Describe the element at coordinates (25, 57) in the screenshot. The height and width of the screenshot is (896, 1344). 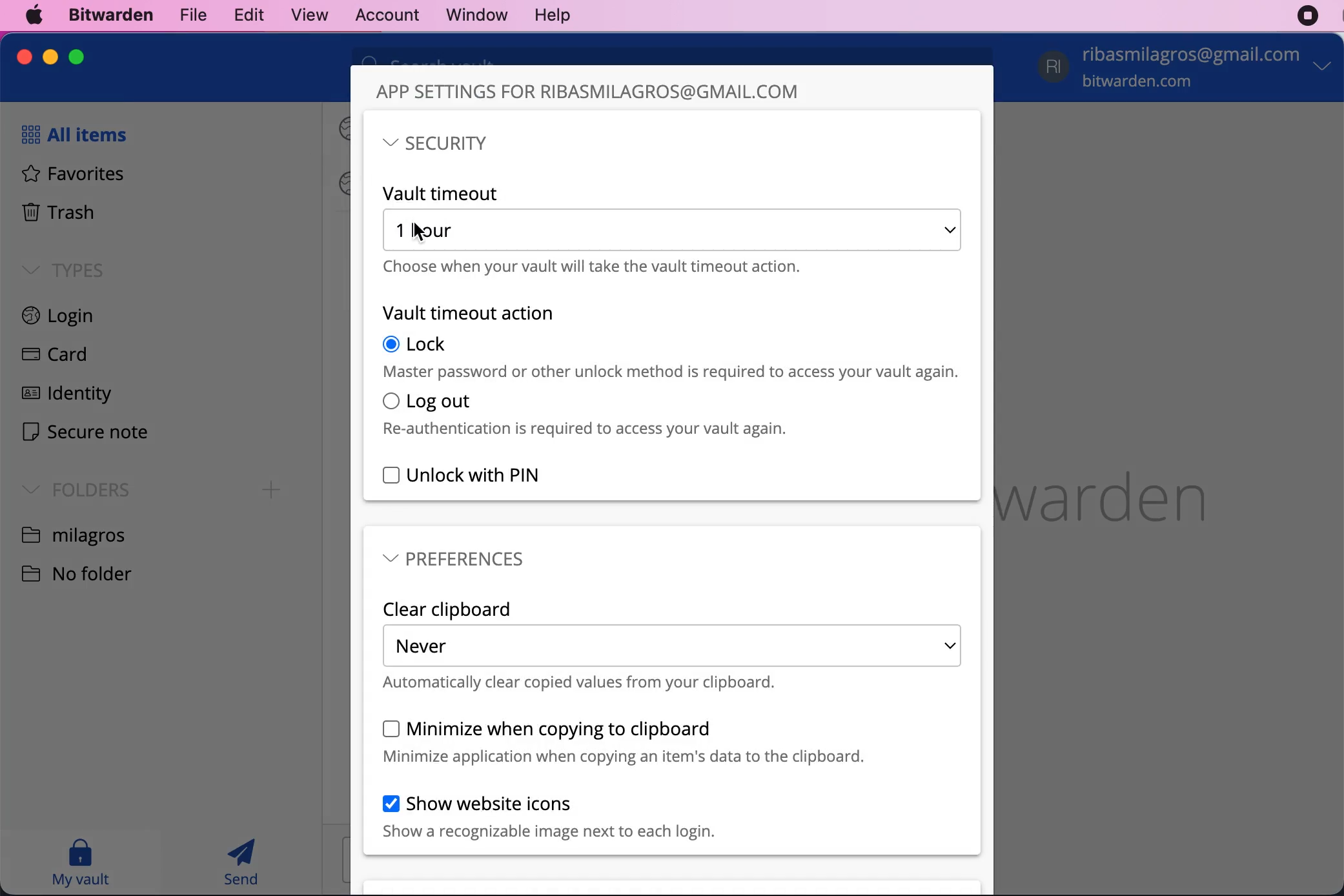
I see `close` at that location.